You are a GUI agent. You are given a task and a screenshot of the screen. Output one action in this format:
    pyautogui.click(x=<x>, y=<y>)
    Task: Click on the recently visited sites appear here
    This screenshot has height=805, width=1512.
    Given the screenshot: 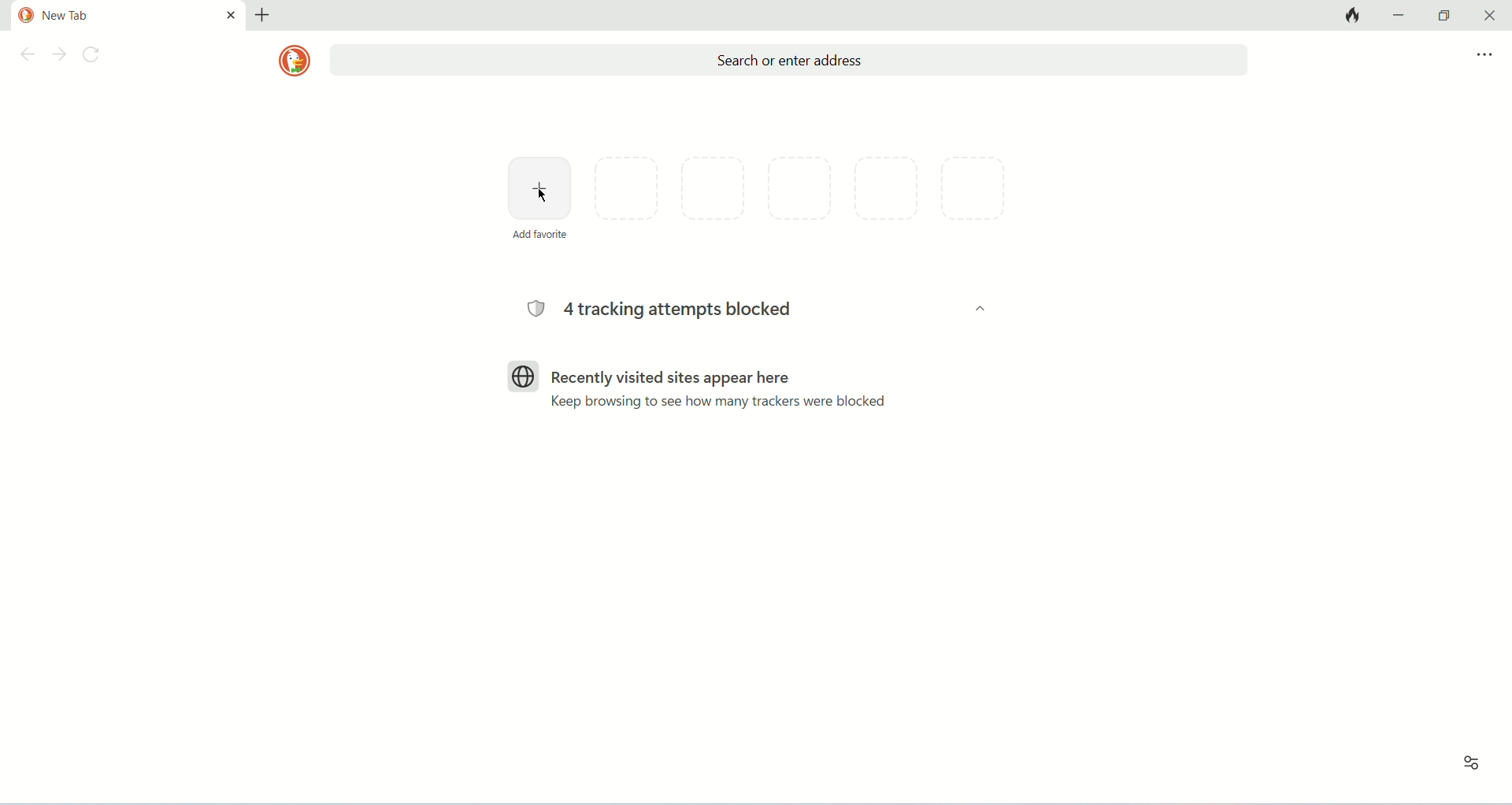 What is the action you would take?
    pyautogui.click(x=647, y=375)
    